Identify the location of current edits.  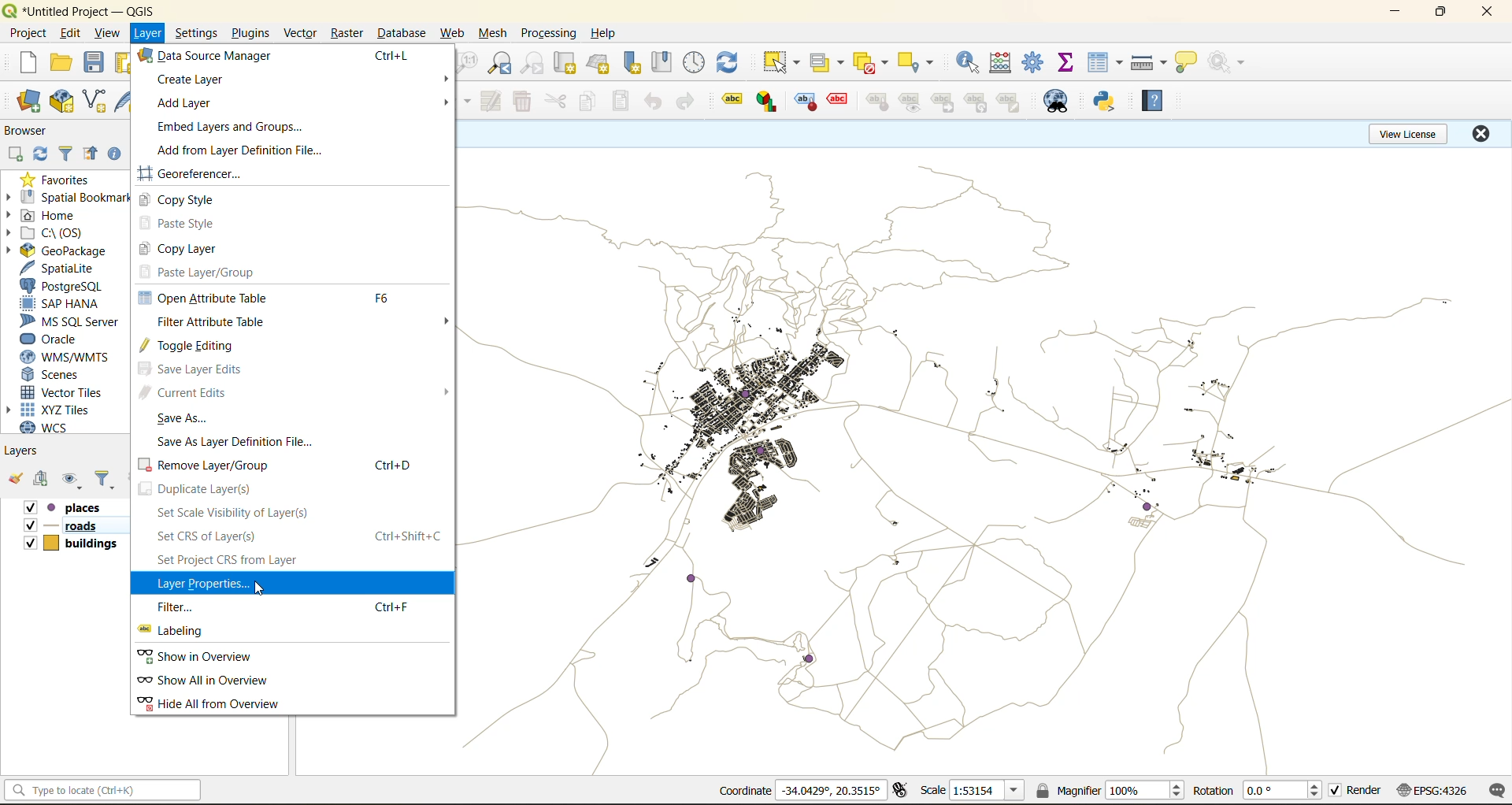
(301, 392).